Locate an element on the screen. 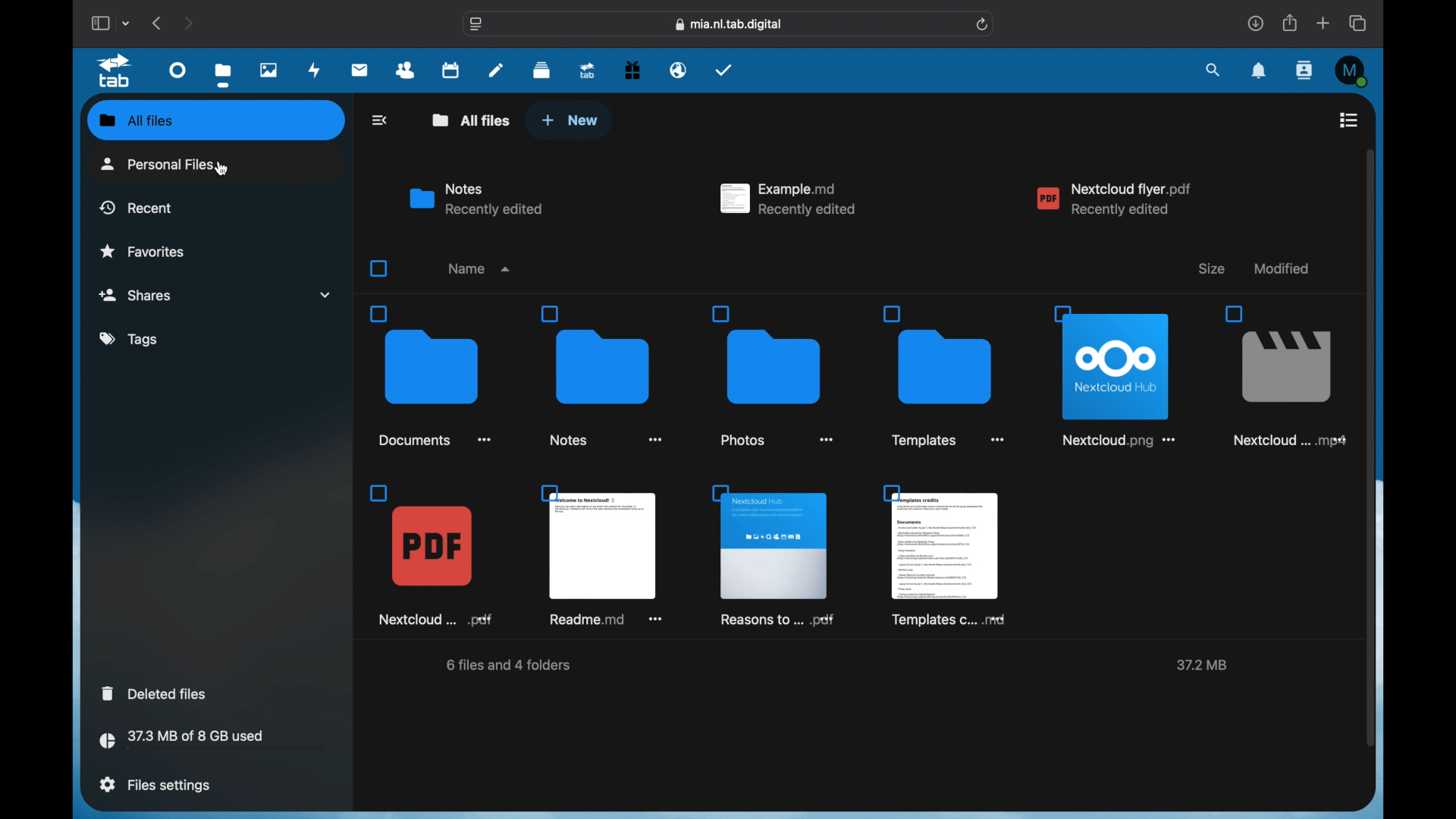 The width and height of the screenshot is (1456, 819). new is located at coordinates (570, 121).